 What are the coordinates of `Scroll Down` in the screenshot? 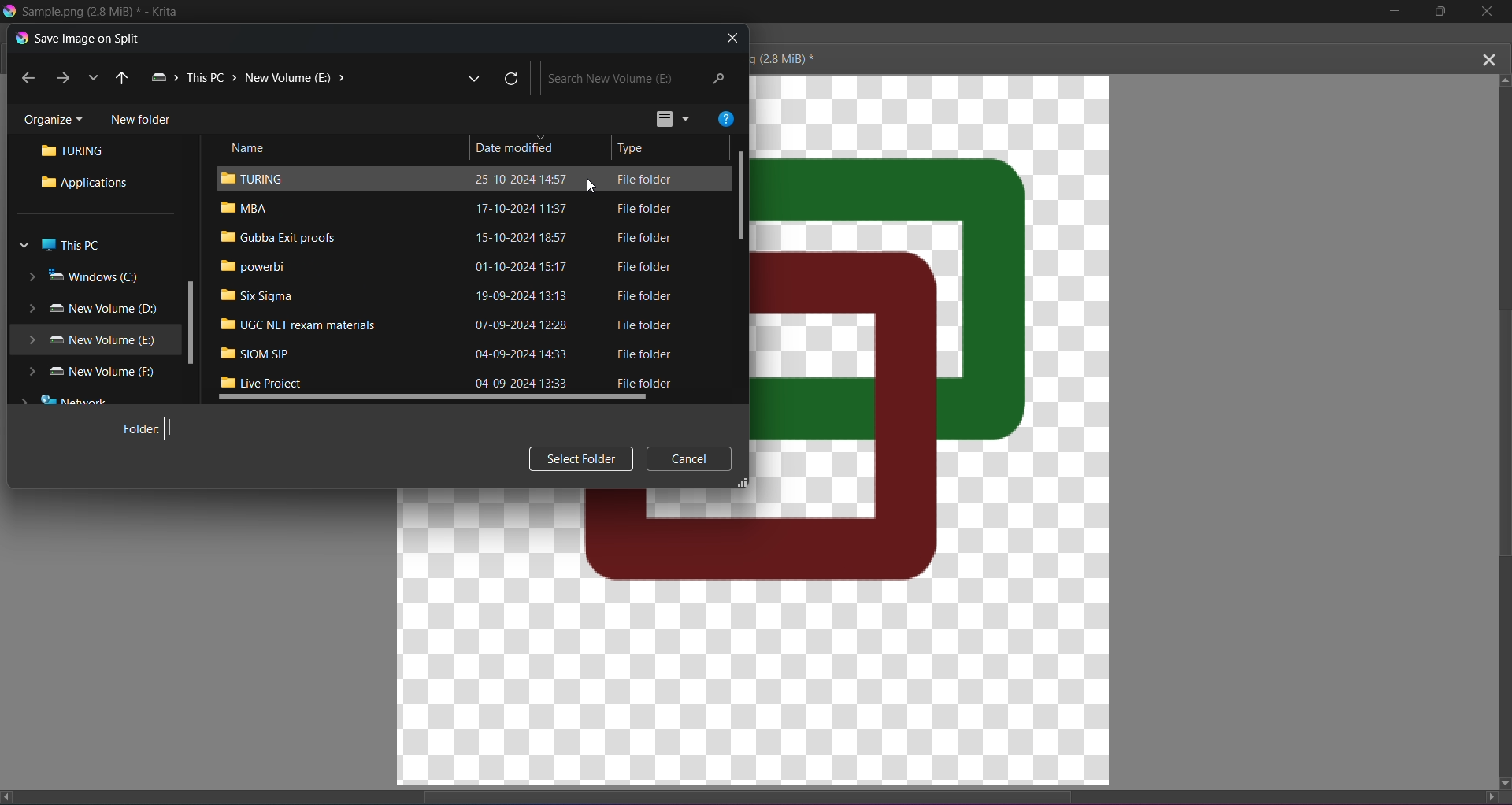 It's located at (1503, 782).